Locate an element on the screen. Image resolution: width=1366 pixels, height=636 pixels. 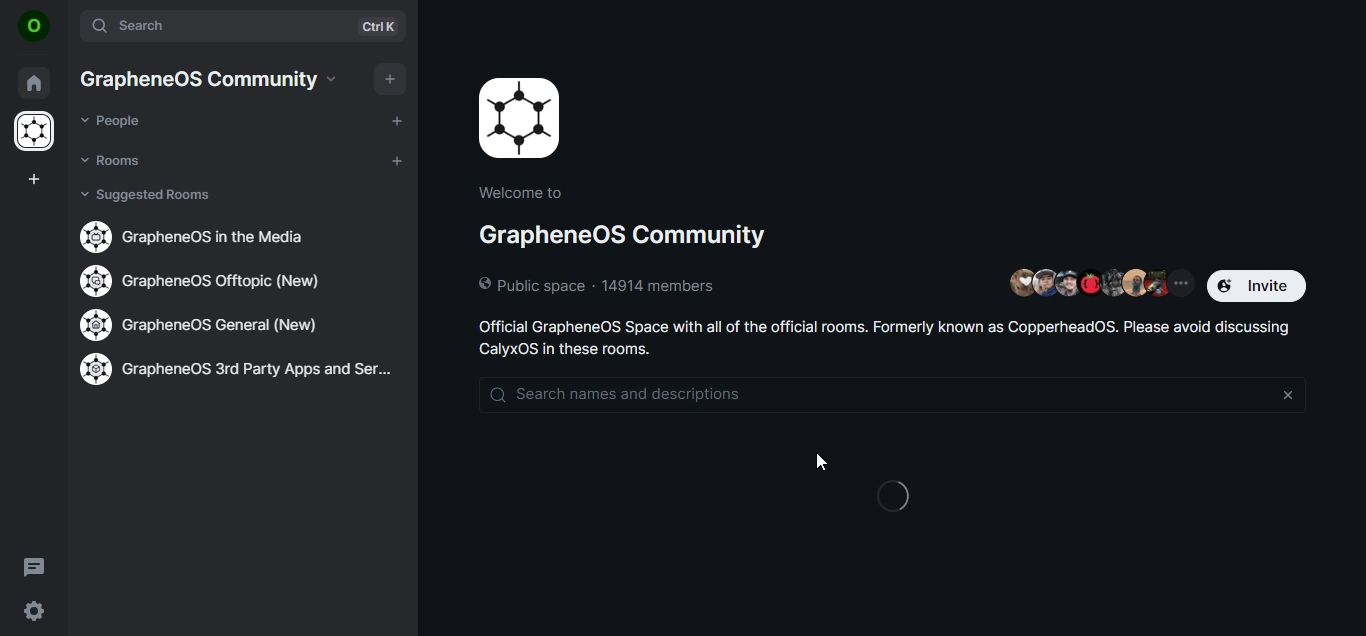
add room is located at coordinates (398, 159).